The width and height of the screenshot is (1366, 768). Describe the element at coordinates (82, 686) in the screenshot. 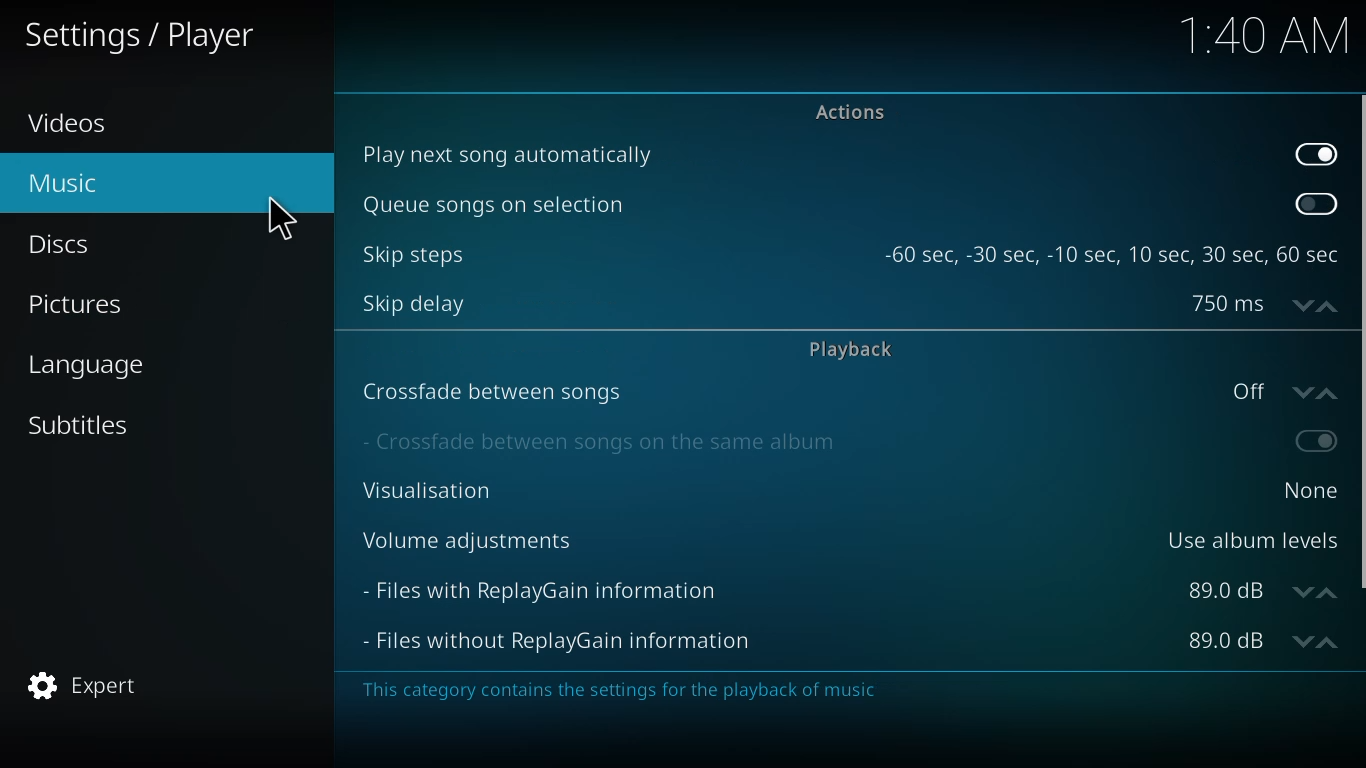

I see `expert` at that location.